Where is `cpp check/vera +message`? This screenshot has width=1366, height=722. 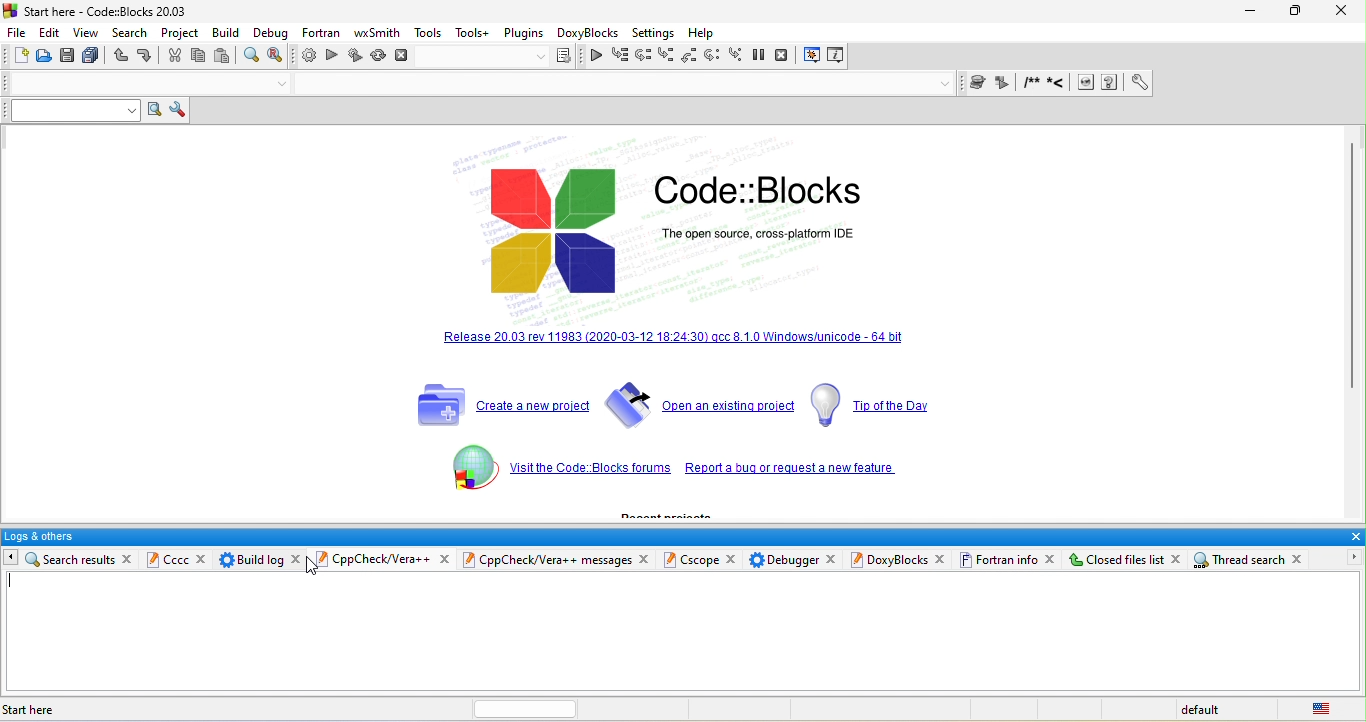 cpp check/vera +message is located at coordinates (546, 560).